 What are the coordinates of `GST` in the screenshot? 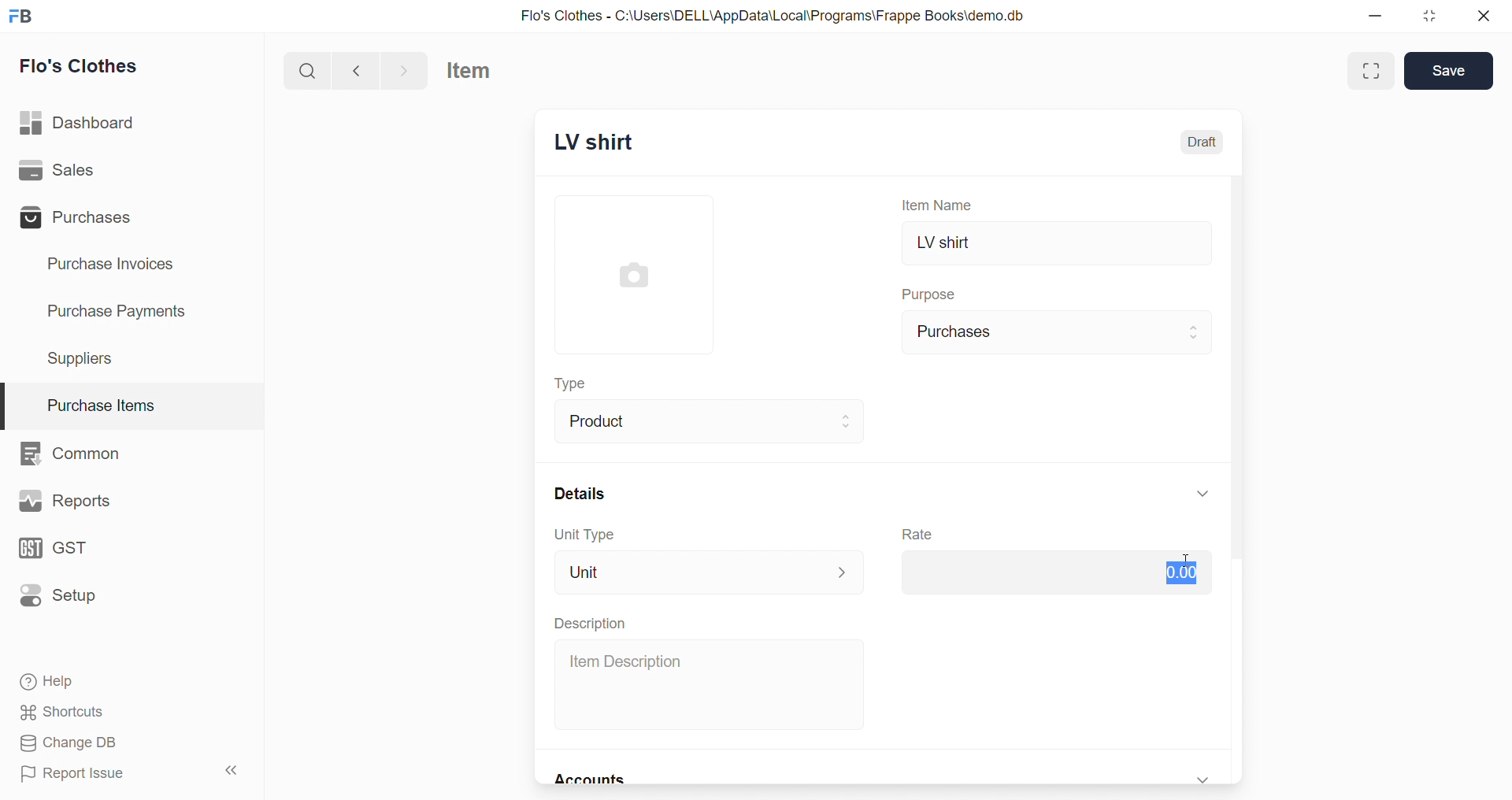 It's located at (74, 550).